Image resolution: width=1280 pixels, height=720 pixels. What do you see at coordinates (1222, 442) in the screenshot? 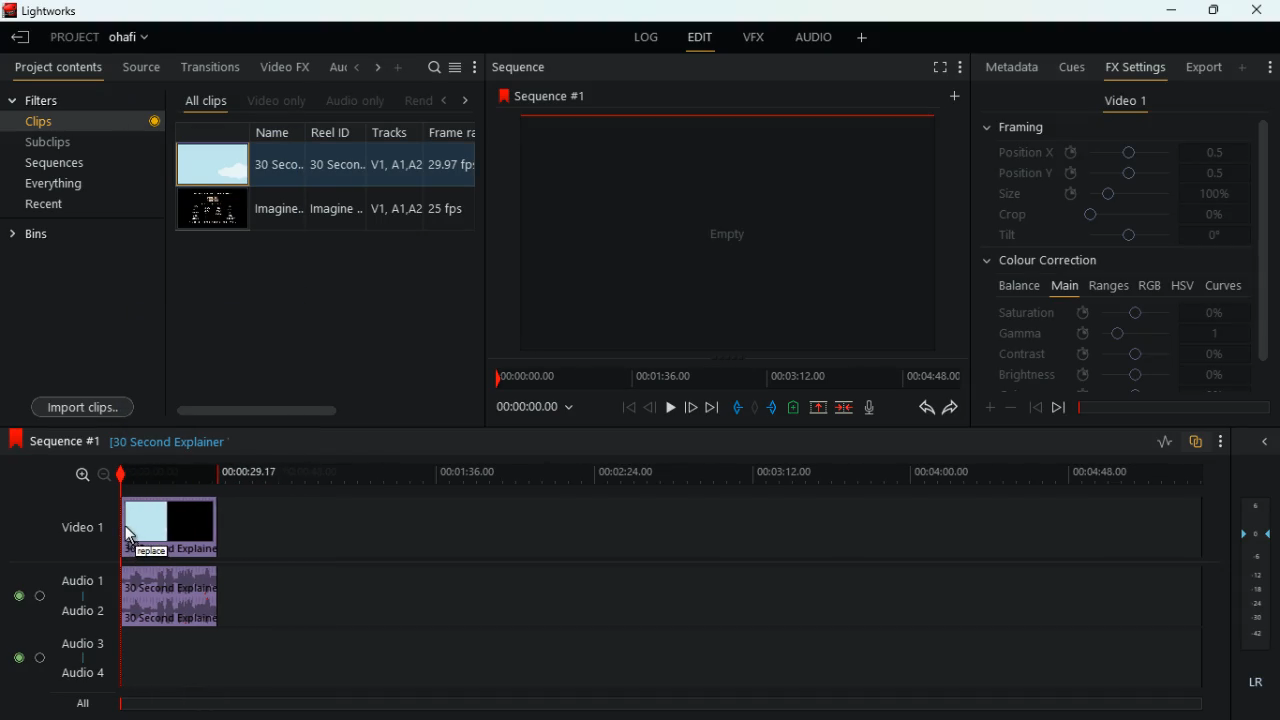
I see `more` at bounding box center [1222, 442].